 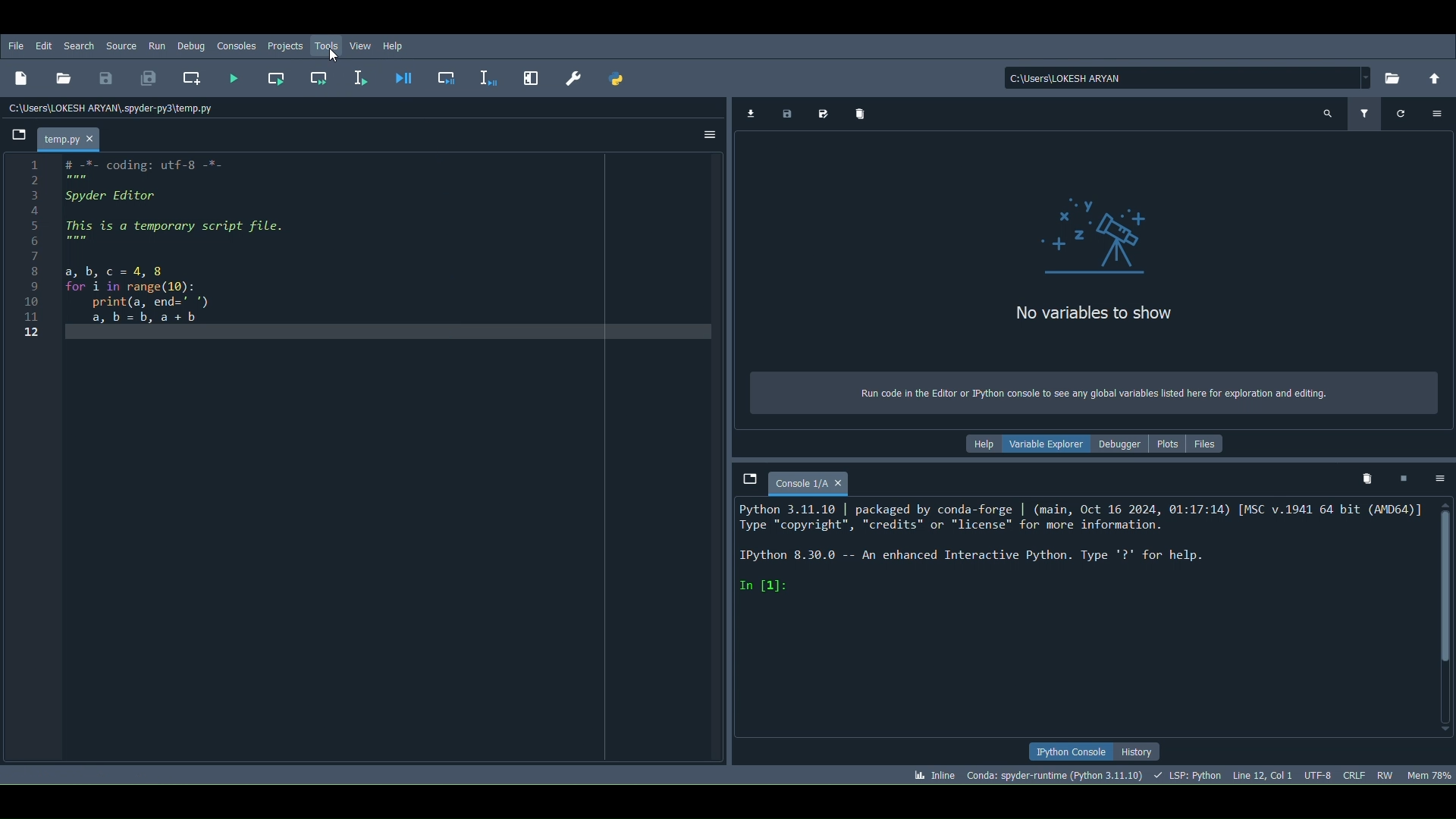 I want to click on Debug selection or current line, so click(x=488, y=76).